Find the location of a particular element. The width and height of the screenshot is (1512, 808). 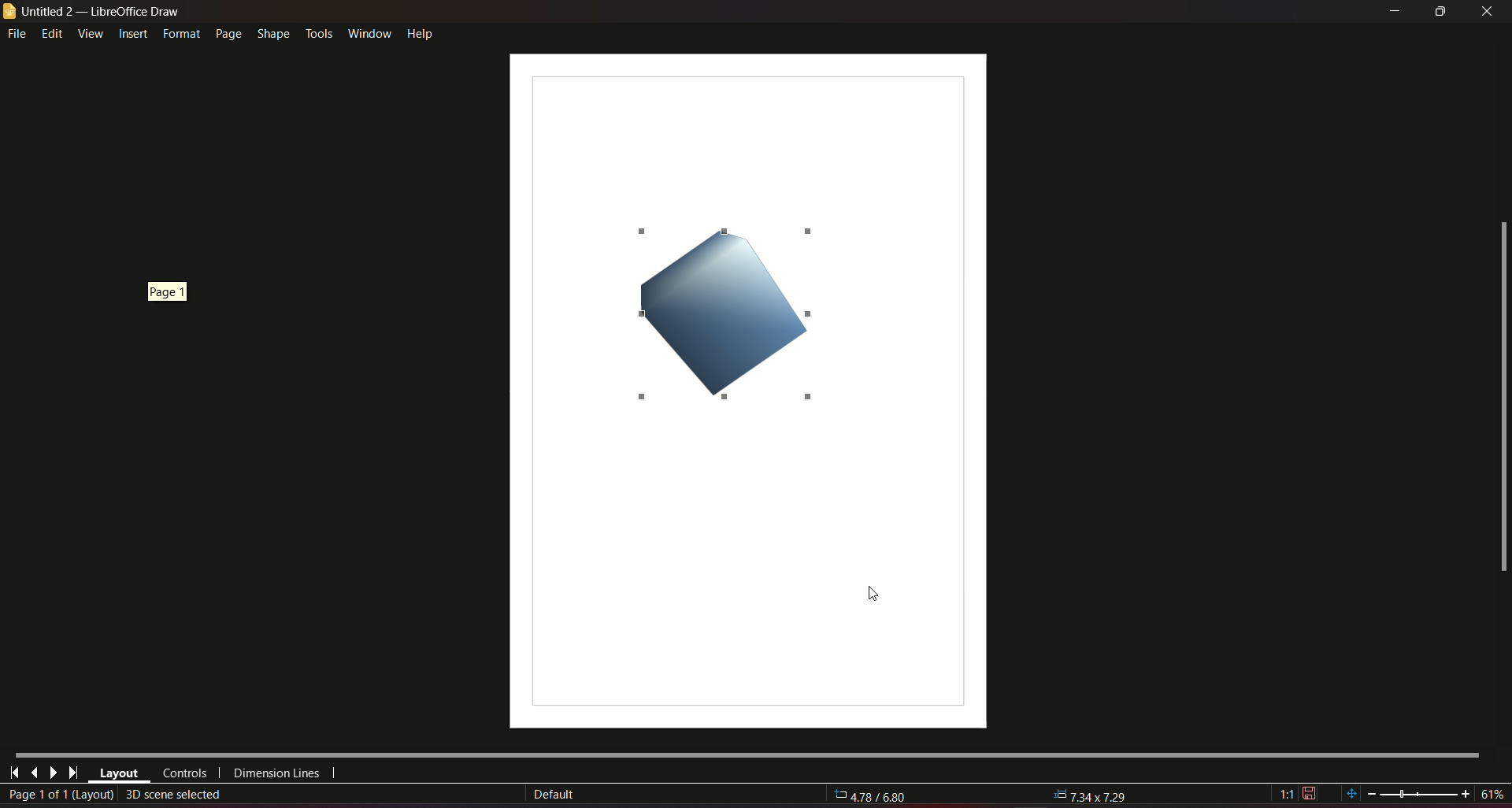

last page is located at coordinates (34, 772).